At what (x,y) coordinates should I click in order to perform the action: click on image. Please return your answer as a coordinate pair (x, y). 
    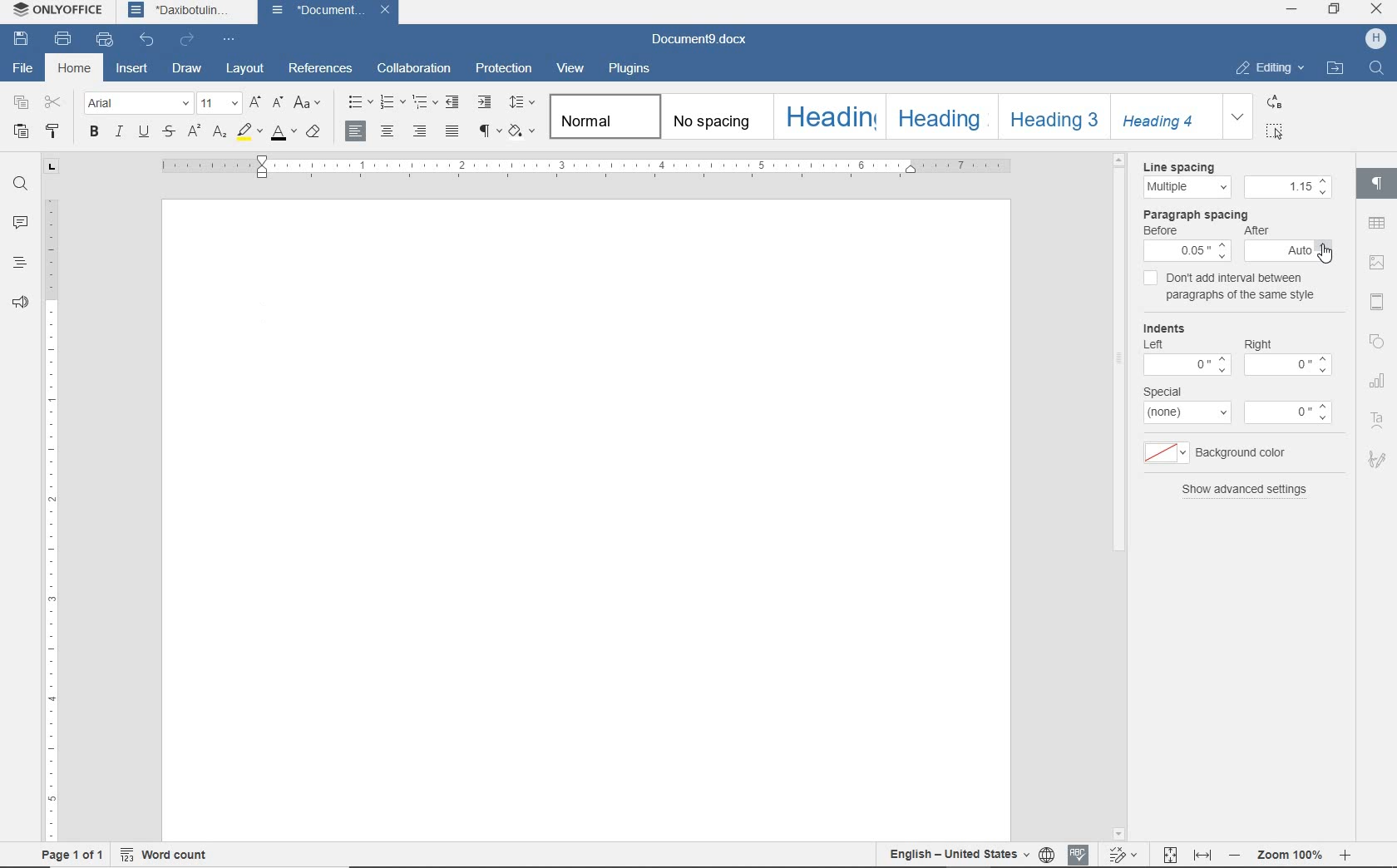
    Looking at the image, I should click on (1377, 263).